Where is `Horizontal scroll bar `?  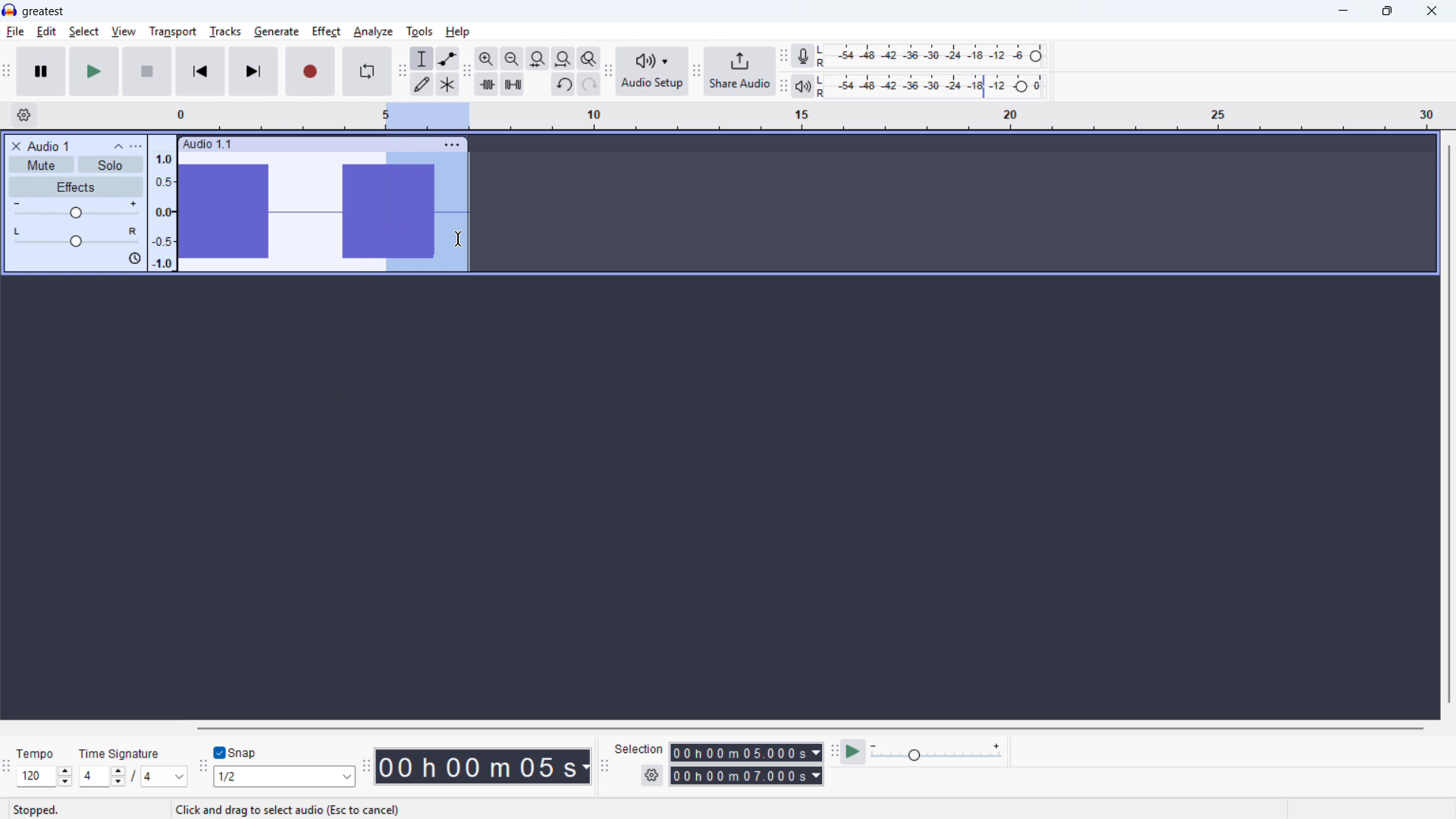 Horizontal scroll bar  is located at coordinates (809, 729).